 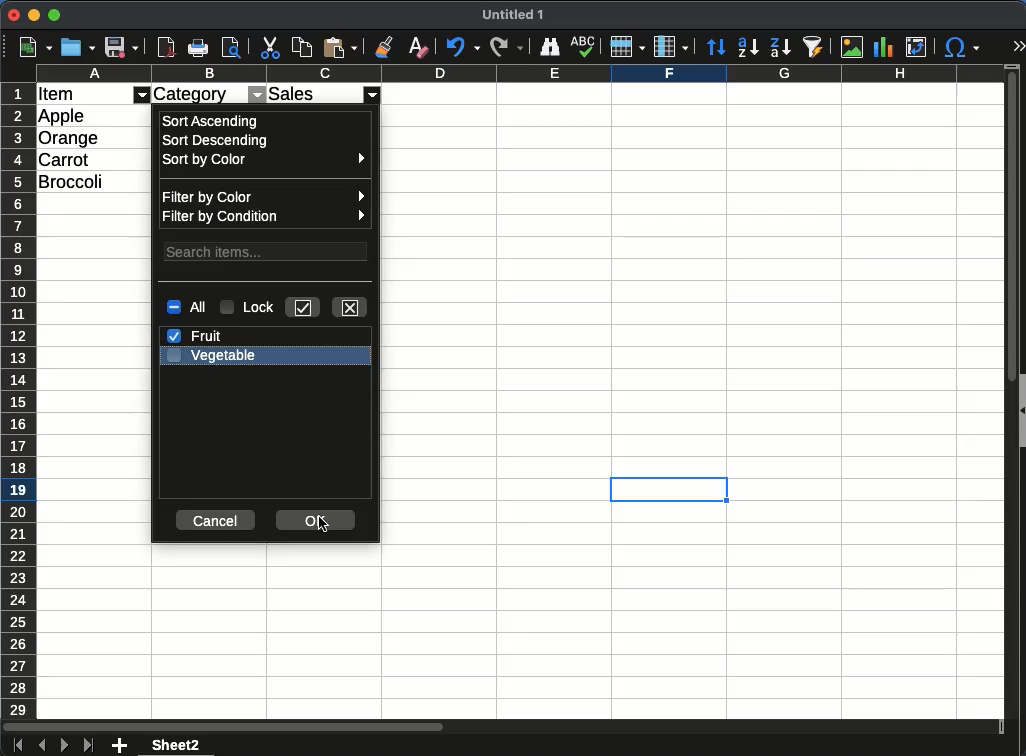 What do you see at coordinates (197, 47) in the screenshot?
I see `print` at bounding box center [197, 47].